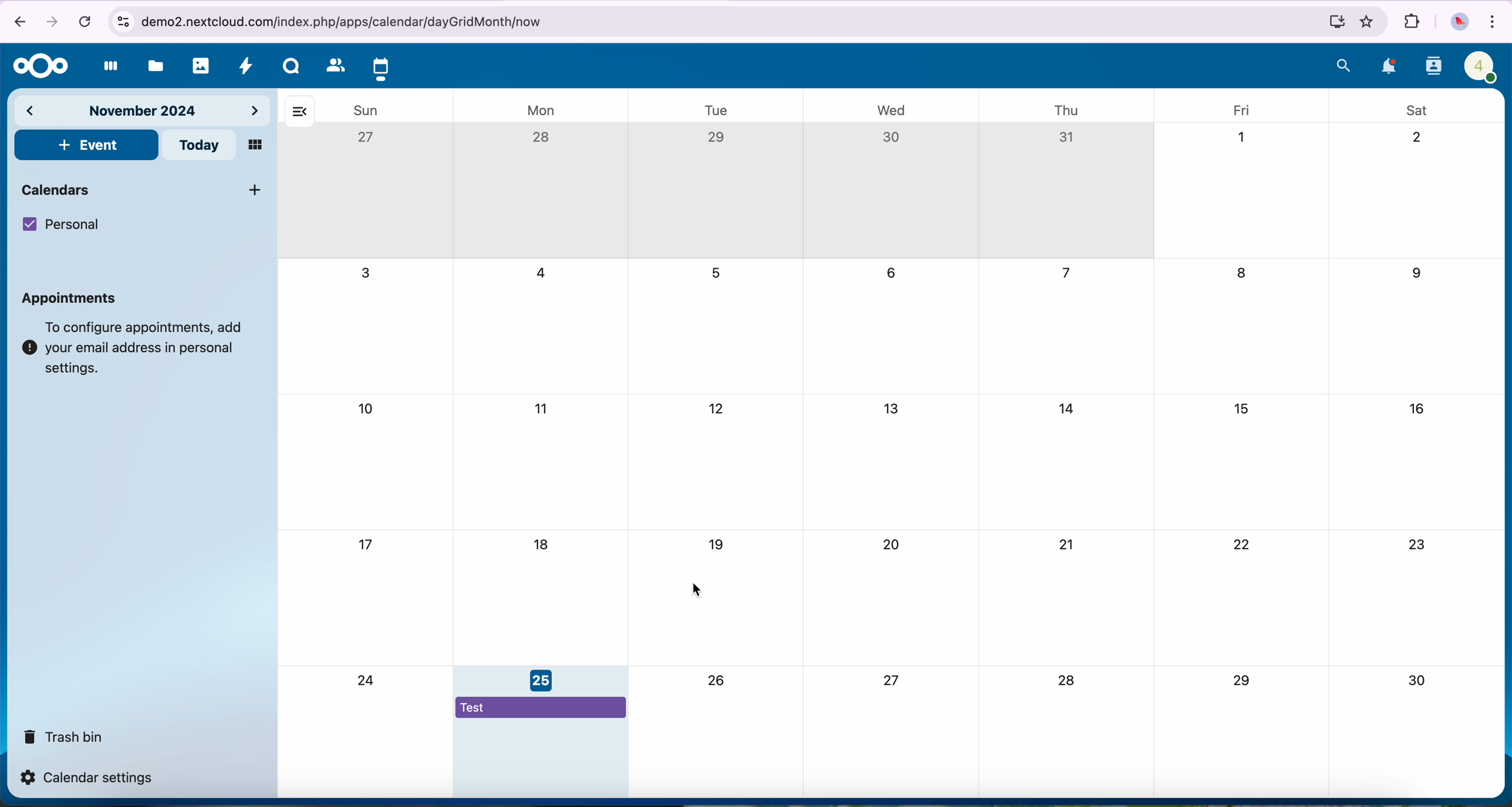 Image resolution: width=1512 pixels, height=807 pixels. What do you see at coordinates (1421, 110) in the screenshot?
I see `sat` at bounding box center [1421, 110].